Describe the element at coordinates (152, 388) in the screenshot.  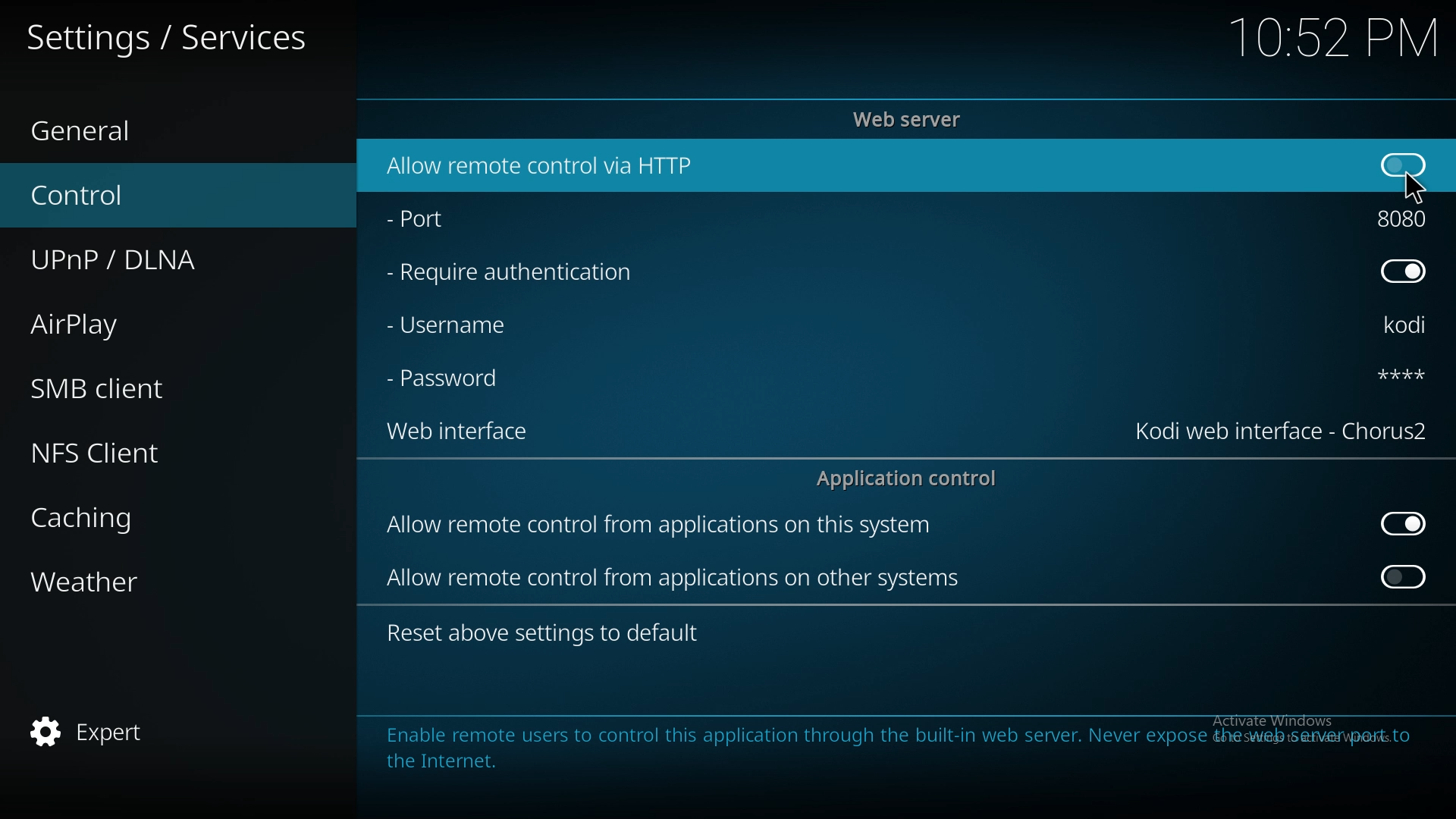
I see `smb client` at that location.